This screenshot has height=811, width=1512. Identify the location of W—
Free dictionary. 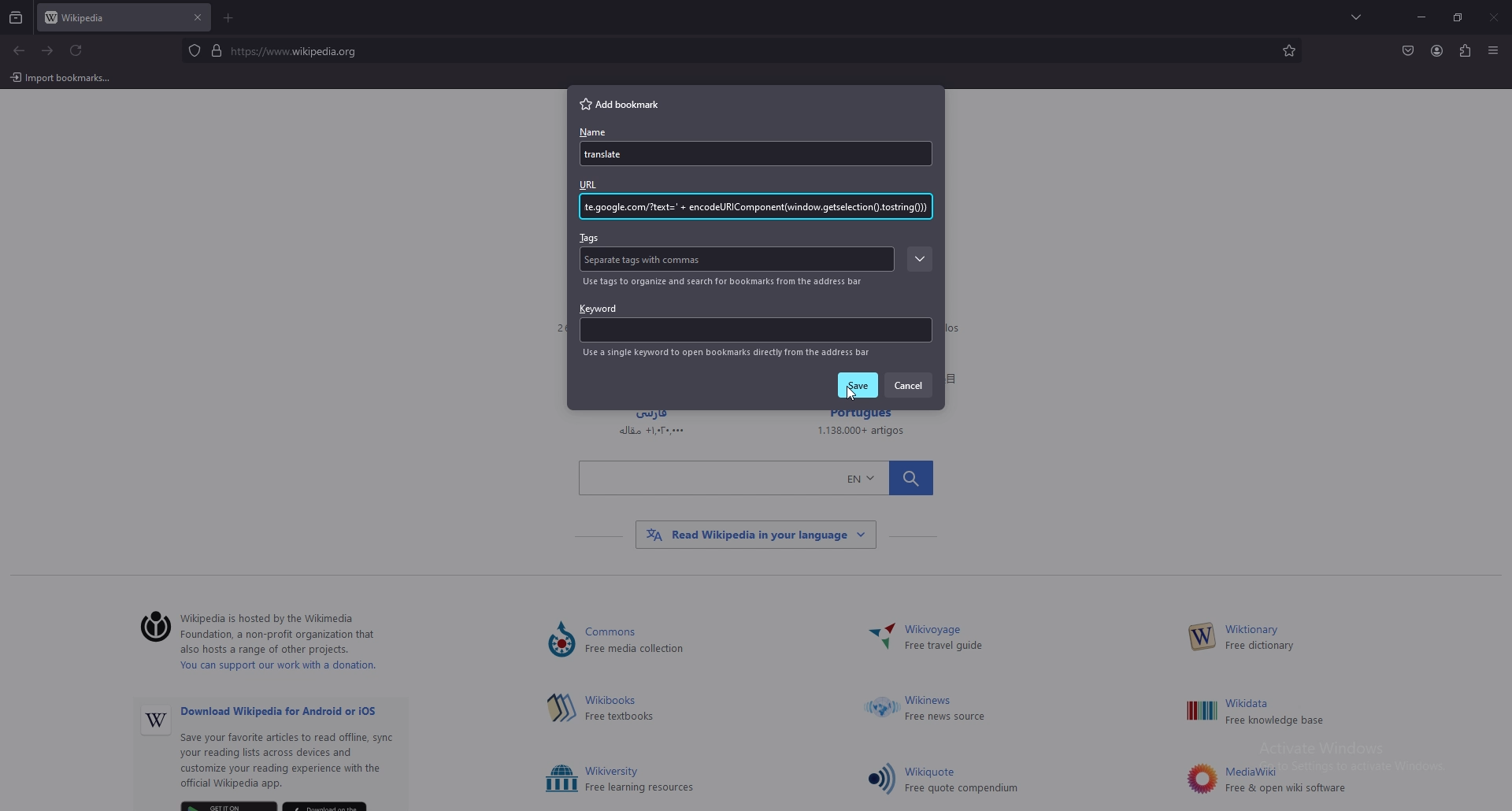
(1259, 639).